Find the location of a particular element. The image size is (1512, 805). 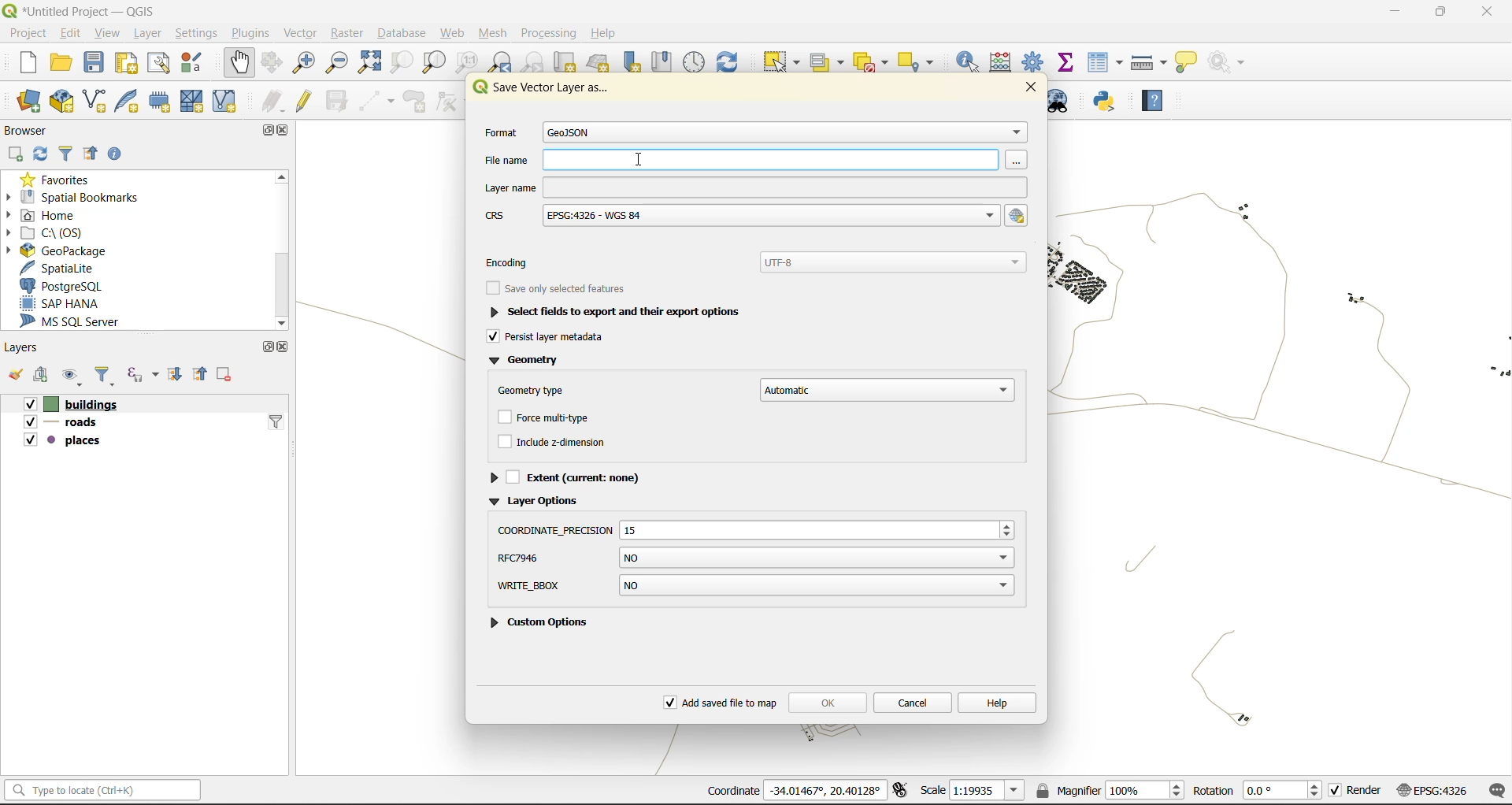

include z dimension is located at coordinates (554, 440).